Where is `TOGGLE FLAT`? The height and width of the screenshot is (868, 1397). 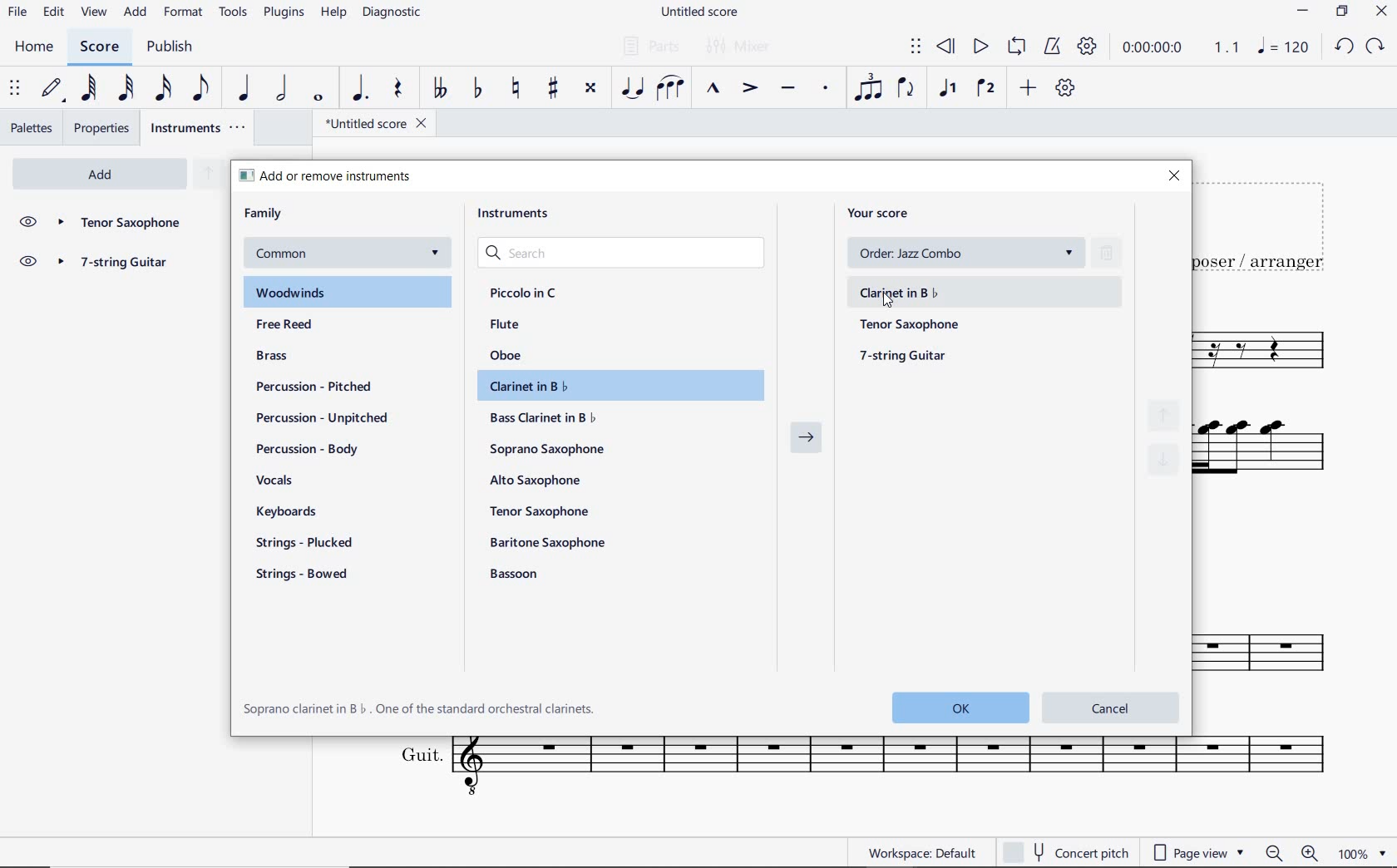 TOGGLE FLAT is located at coordinates (481, 87).